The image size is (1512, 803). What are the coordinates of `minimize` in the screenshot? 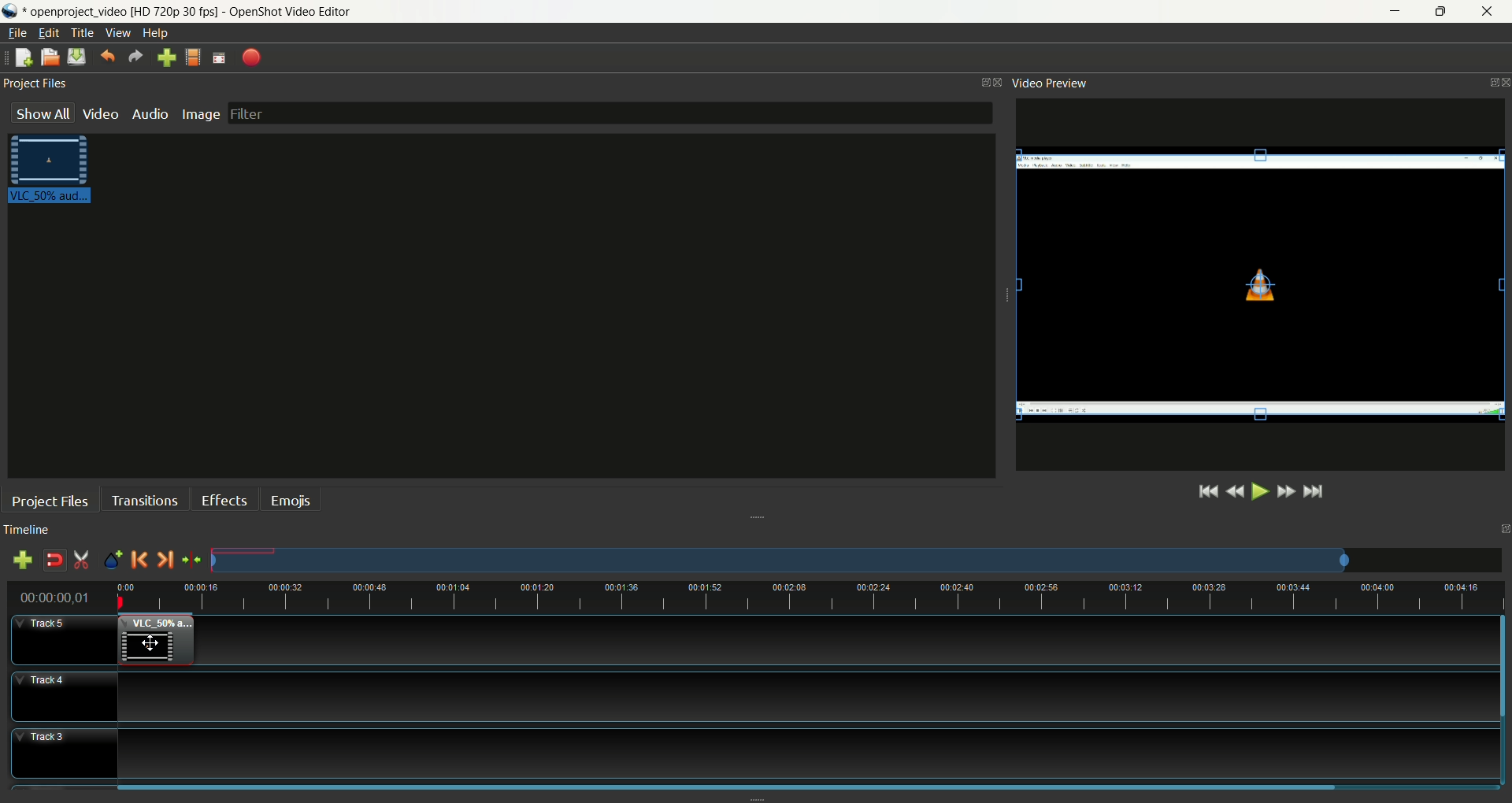 It's located at (1387, 11).